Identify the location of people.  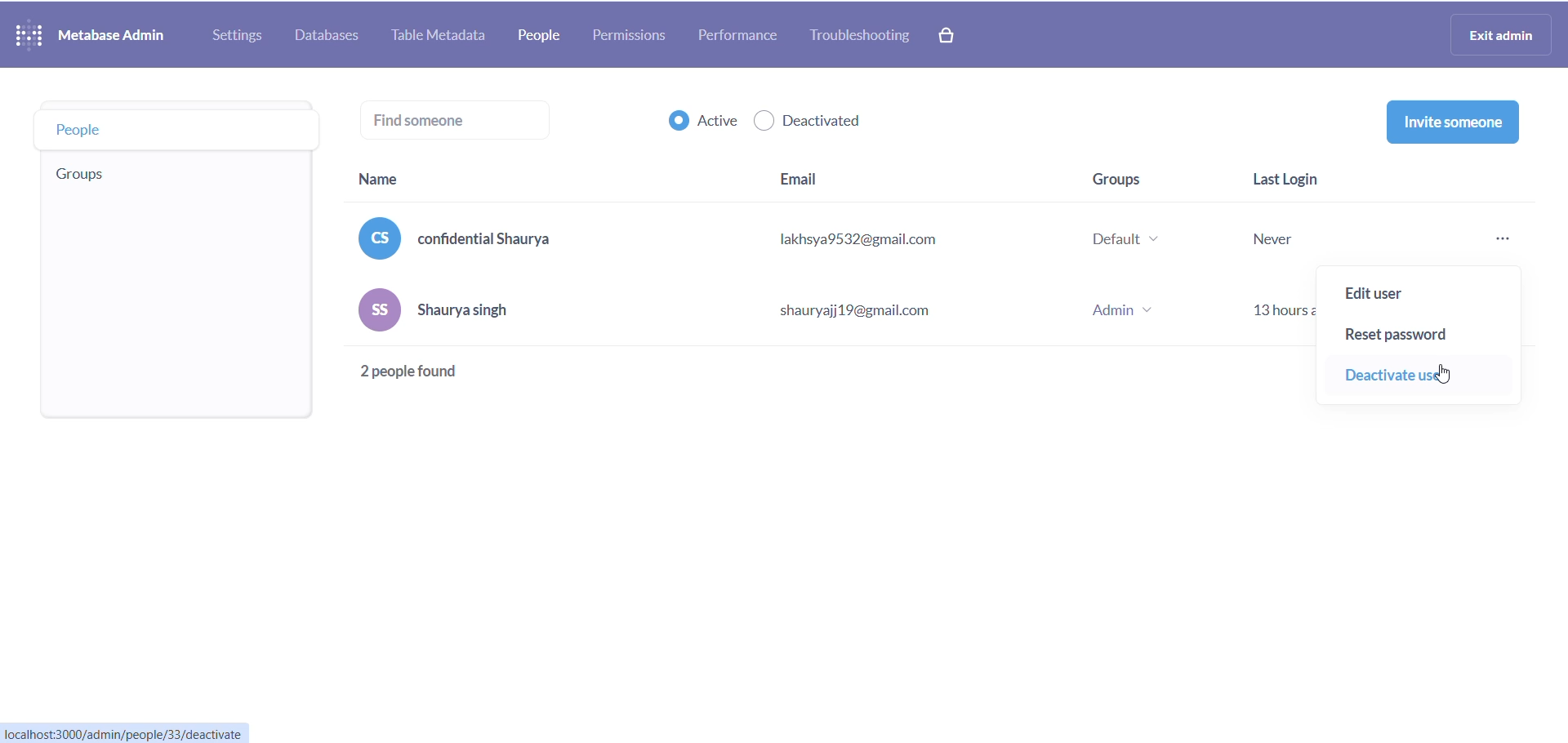
(543, 32).